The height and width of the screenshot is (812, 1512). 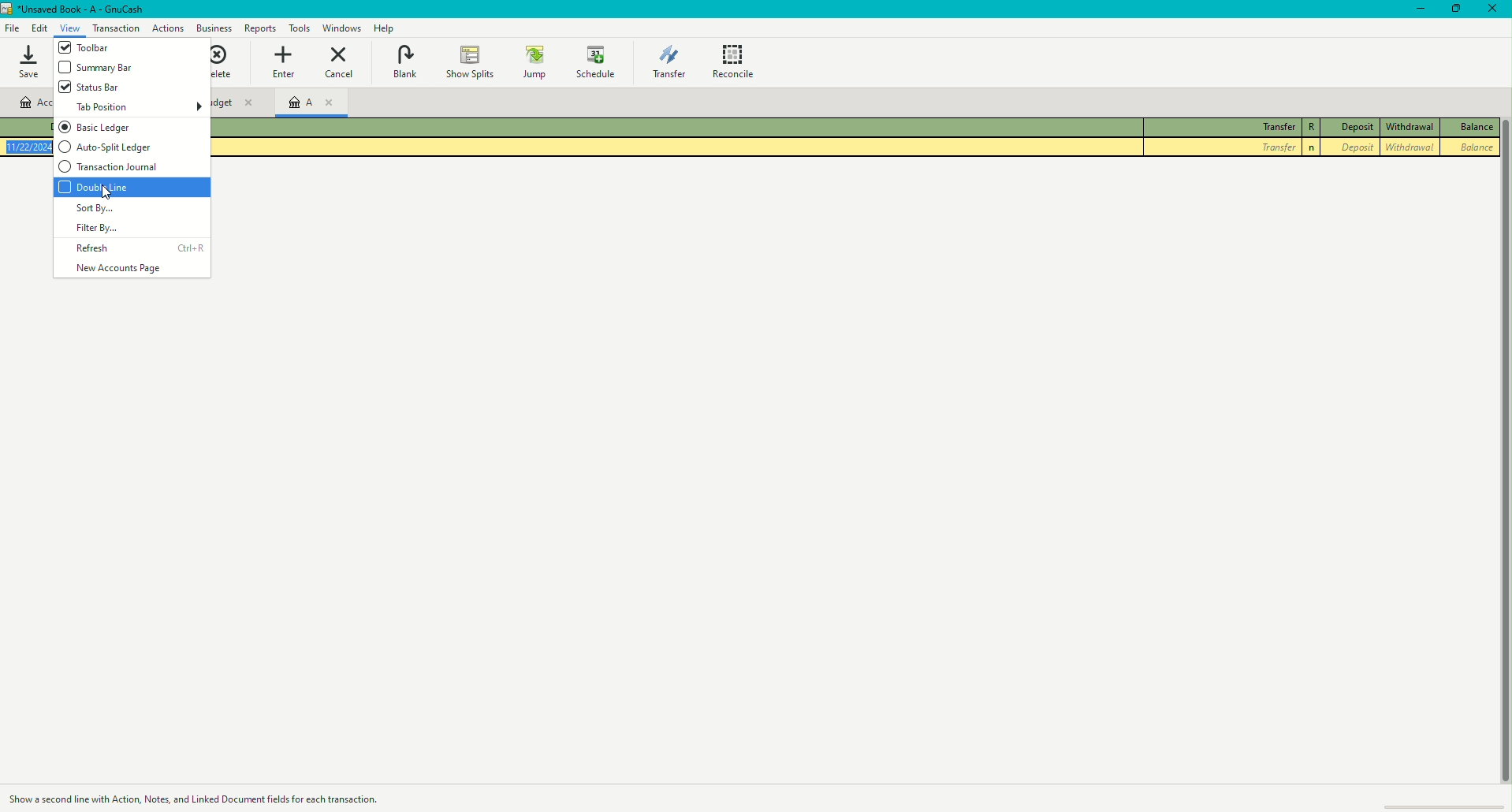 What do you see at coordinates (1222, 149) in the screenshot?
I see `Transfer` at bounding box center [1222, 149].